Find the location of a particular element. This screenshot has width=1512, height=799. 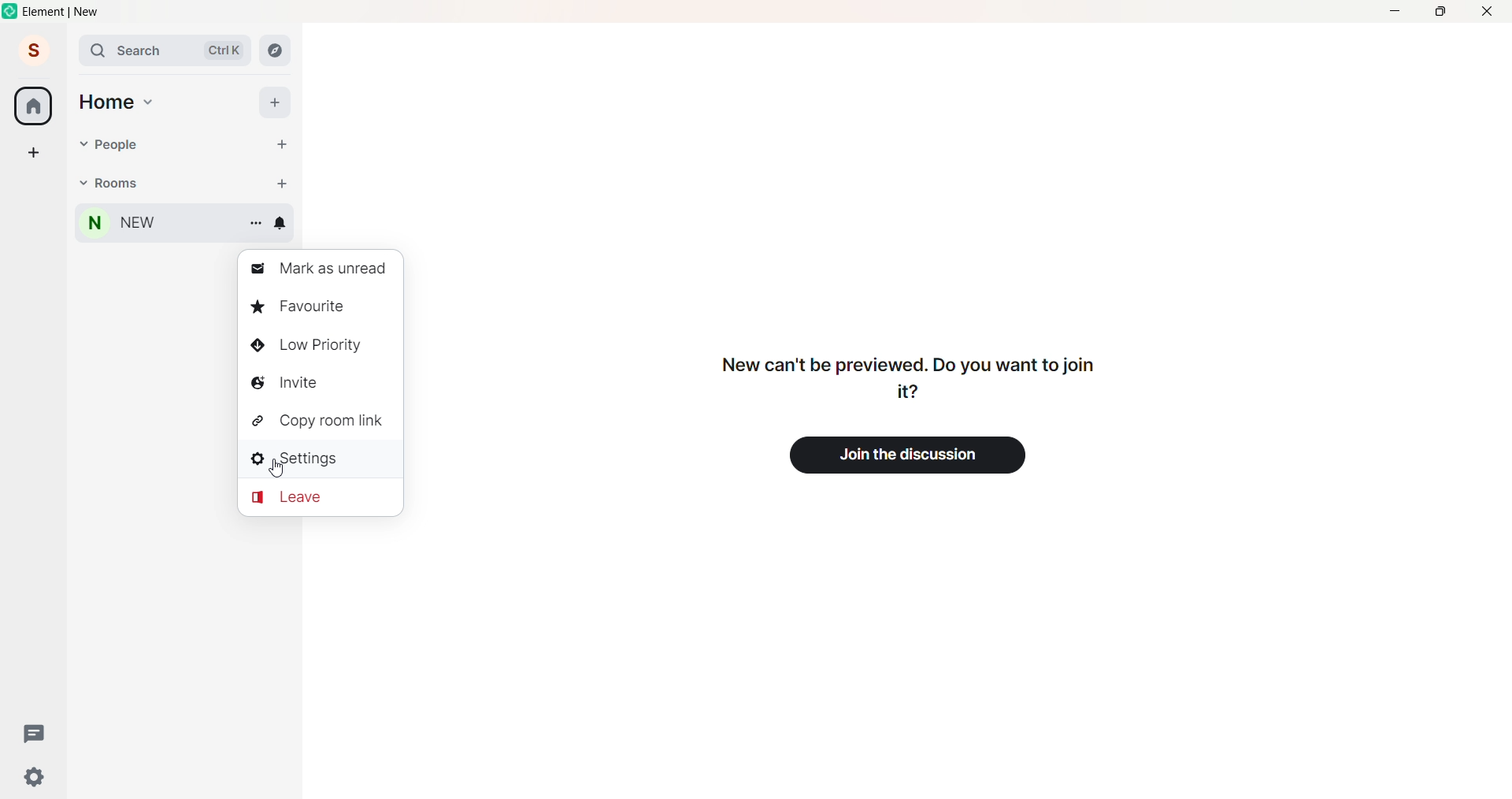

leave is located at coordinates (293, 497).